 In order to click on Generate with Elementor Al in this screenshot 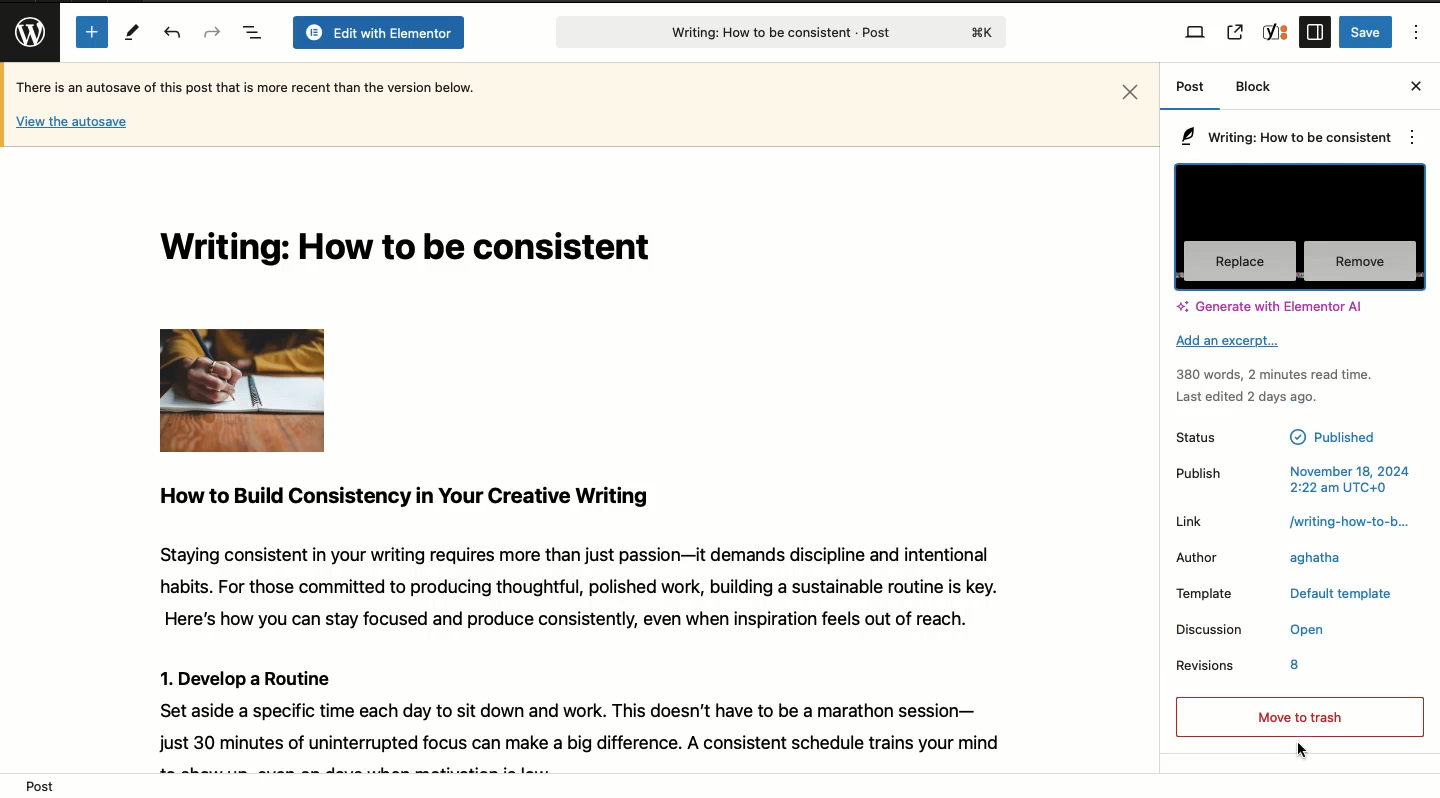, I will do `click(1269, 306)`.